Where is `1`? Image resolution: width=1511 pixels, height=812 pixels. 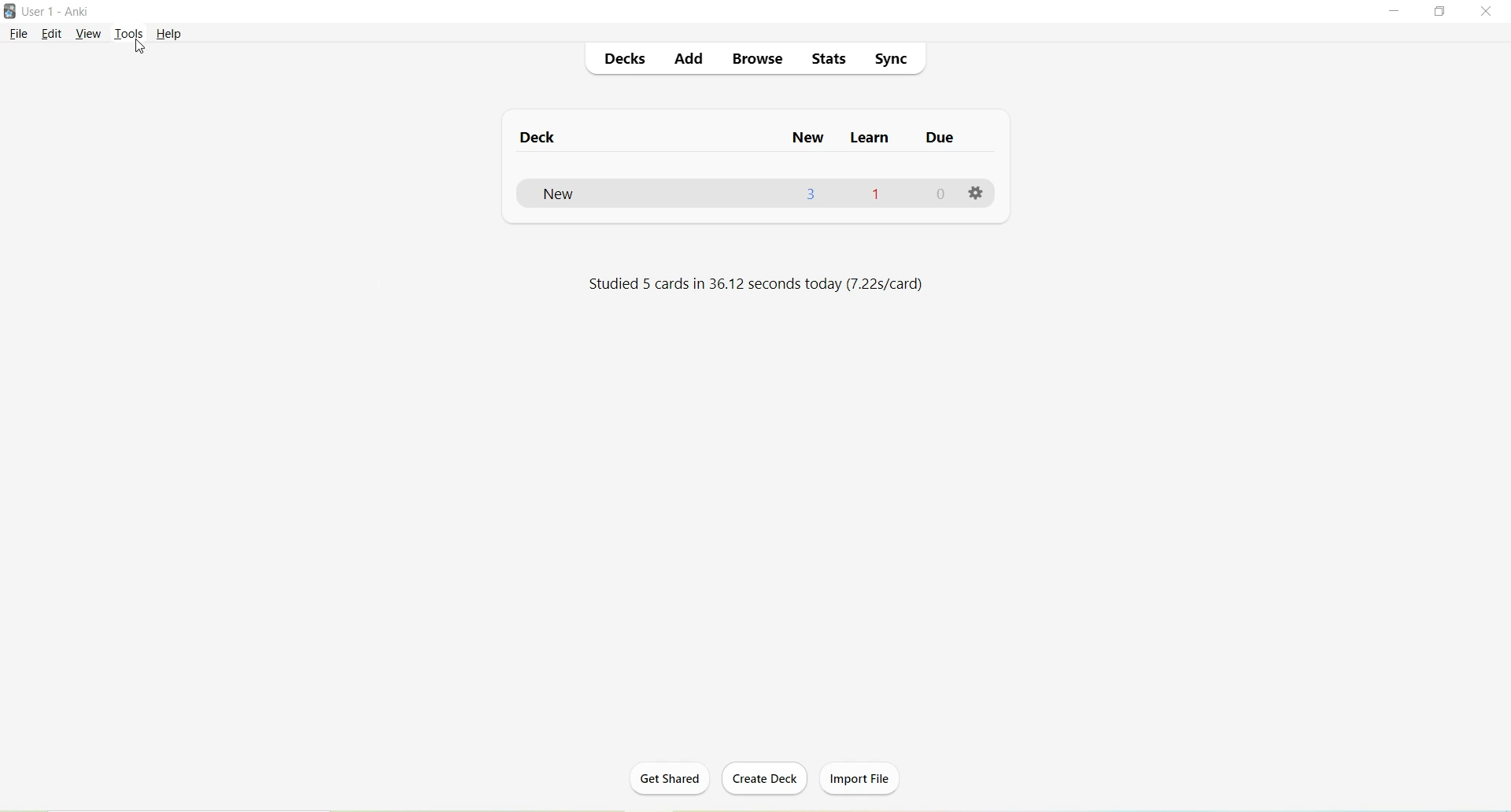 1 is located at coordinates (876, 193).